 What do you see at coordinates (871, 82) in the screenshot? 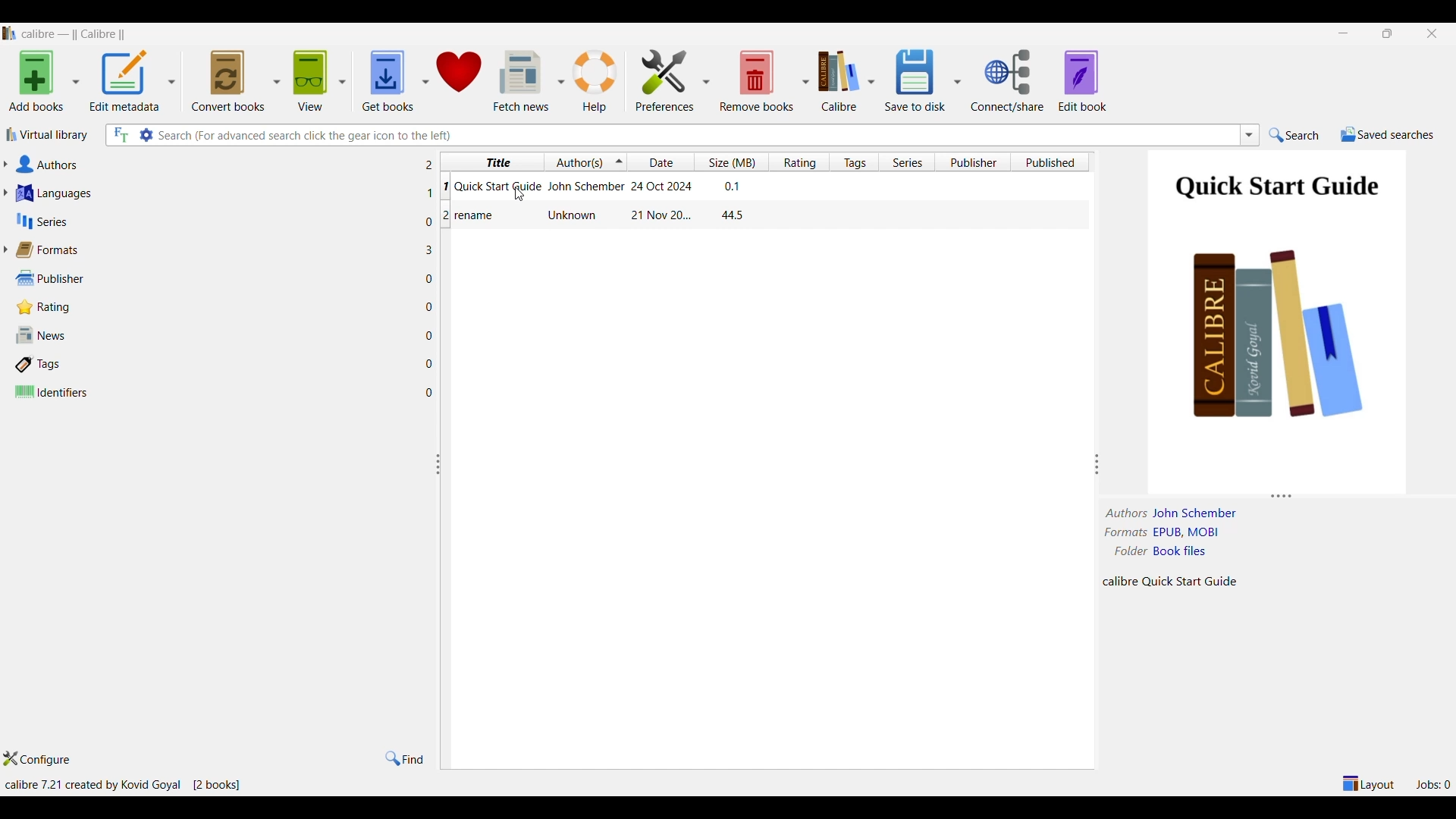
I see `Calibre options` at bounding box center [871, 82].